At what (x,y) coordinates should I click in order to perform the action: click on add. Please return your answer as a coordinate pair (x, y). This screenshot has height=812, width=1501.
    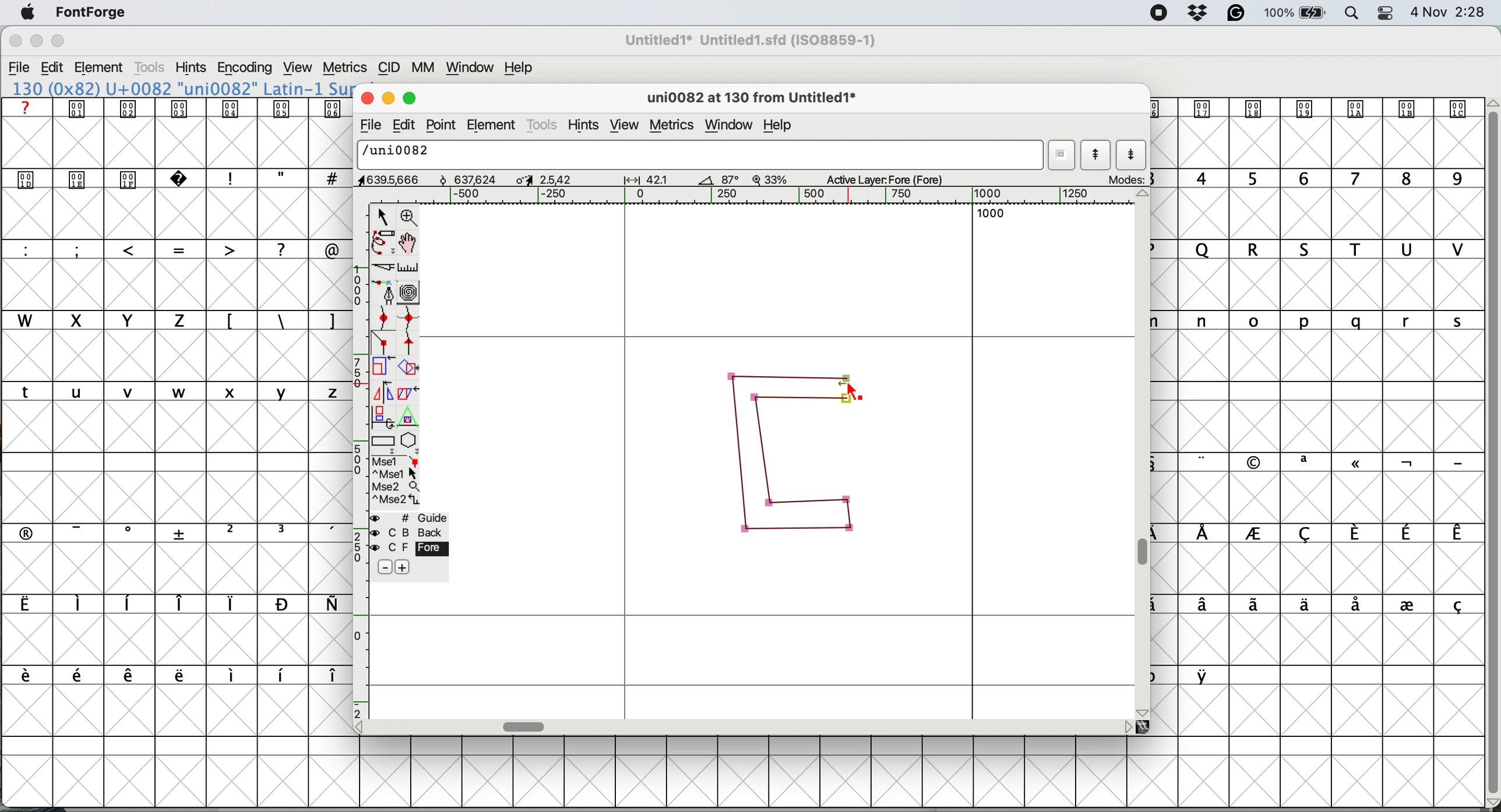
    Looking at the image, I should click on (401, 567).